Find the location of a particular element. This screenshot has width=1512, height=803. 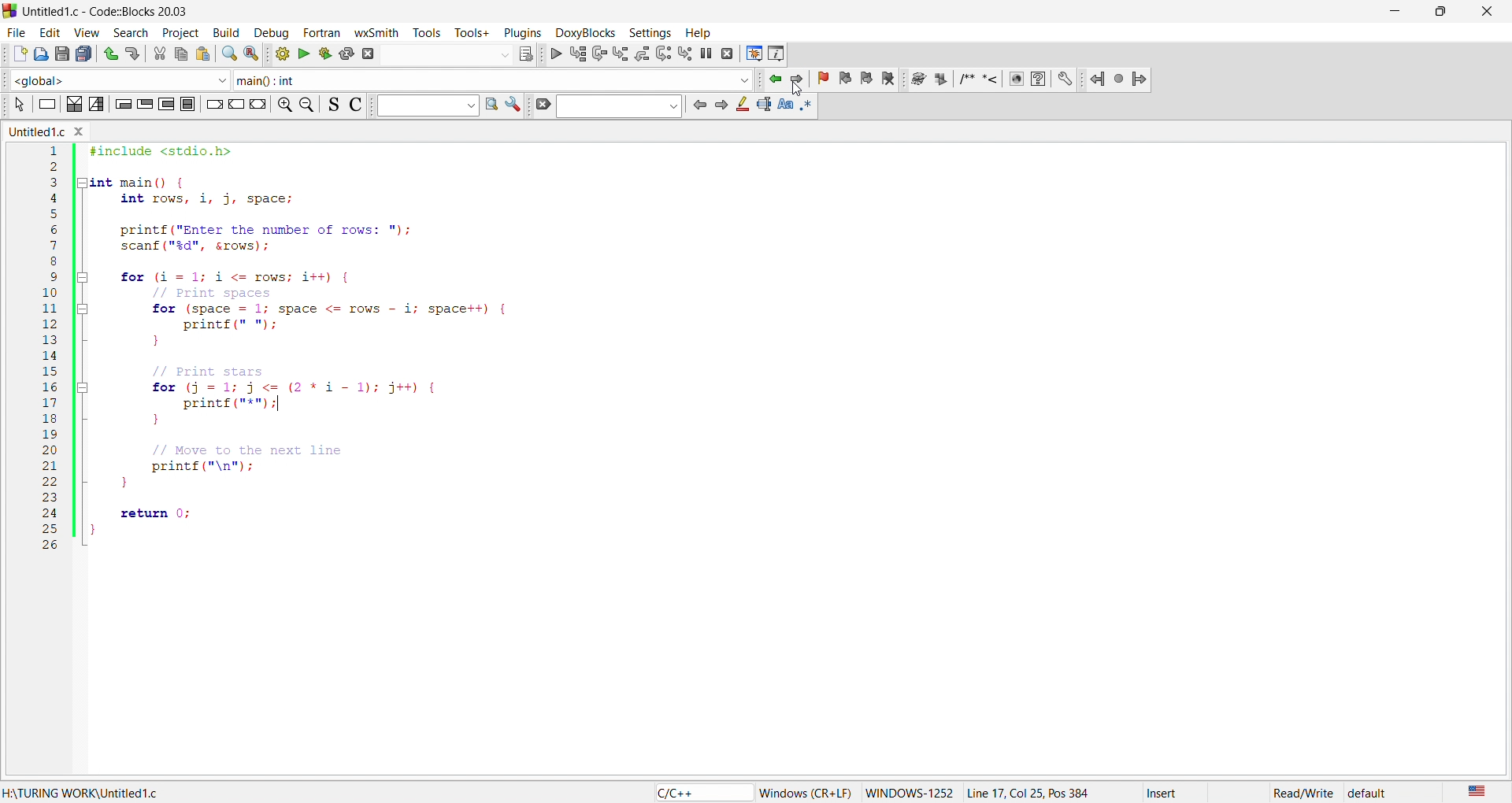

search bar is located at coordinates (451, 54).